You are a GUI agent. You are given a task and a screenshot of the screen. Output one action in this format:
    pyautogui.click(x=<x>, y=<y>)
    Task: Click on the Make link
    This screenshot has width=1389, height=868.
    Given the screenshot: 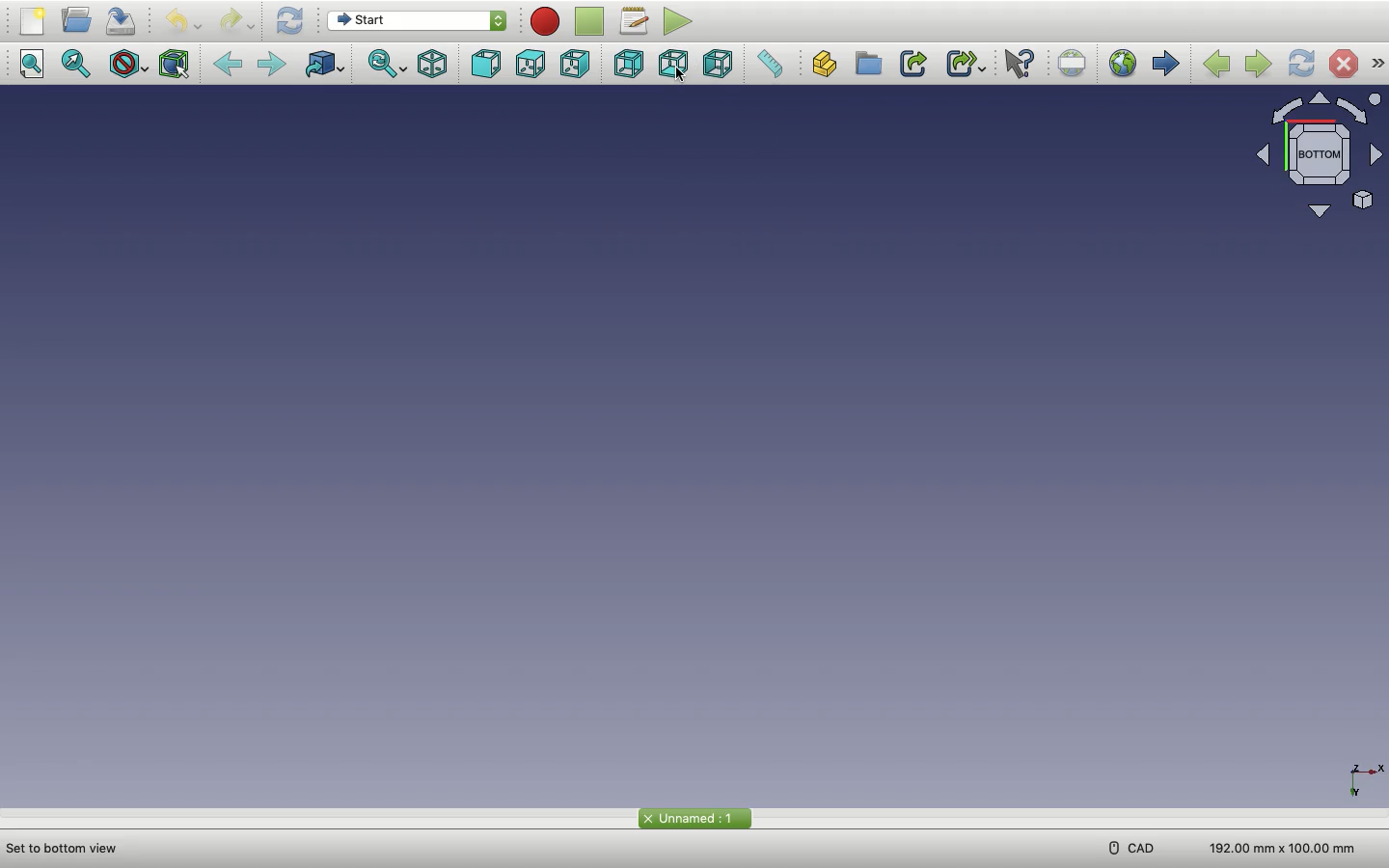 What is the action you would take?
    pyautogui.click(x=912, y=64)
    